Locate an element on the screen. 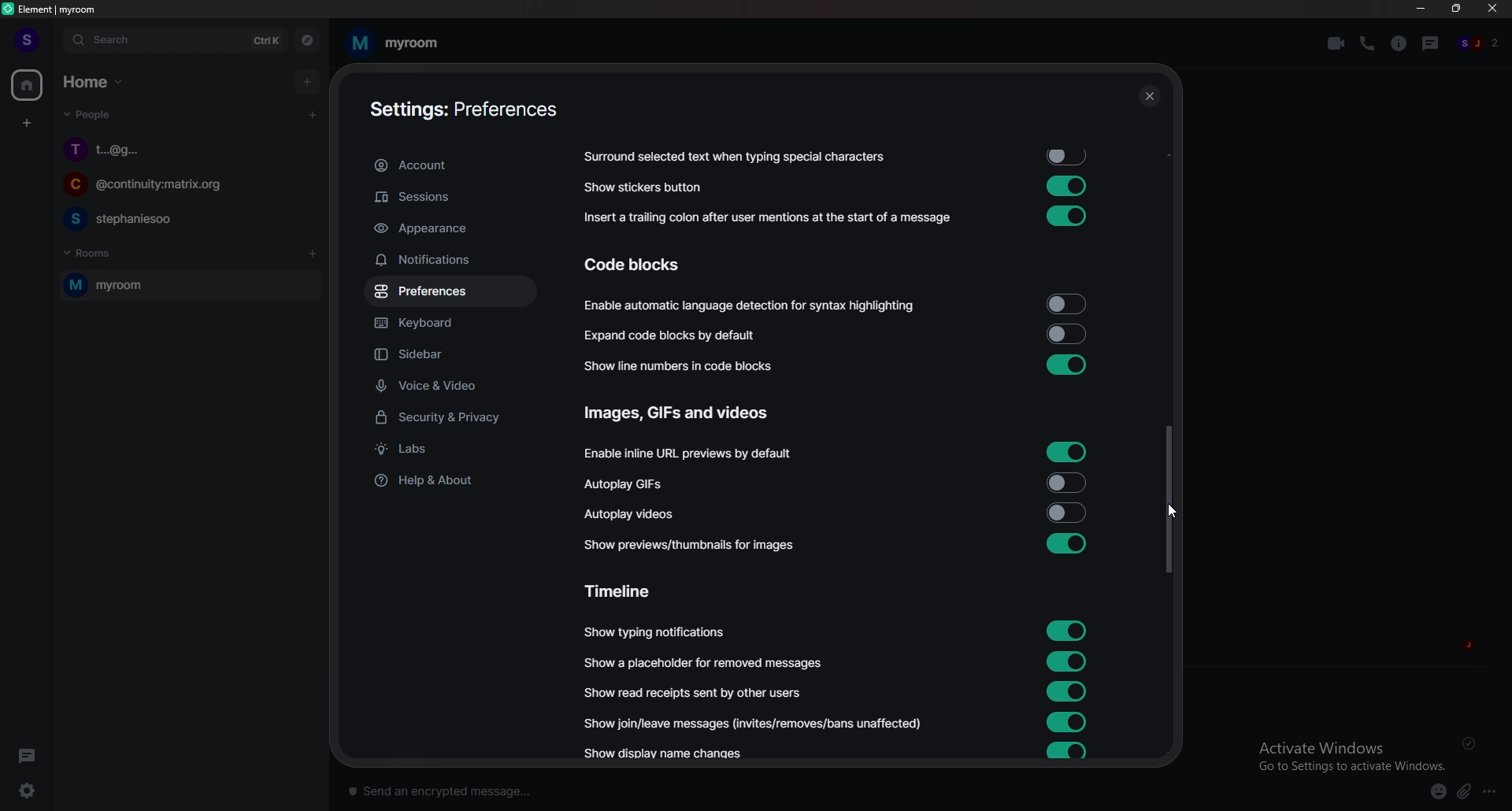 The image size is (1512, 811). minimize is located at coordinates (1421, 9).